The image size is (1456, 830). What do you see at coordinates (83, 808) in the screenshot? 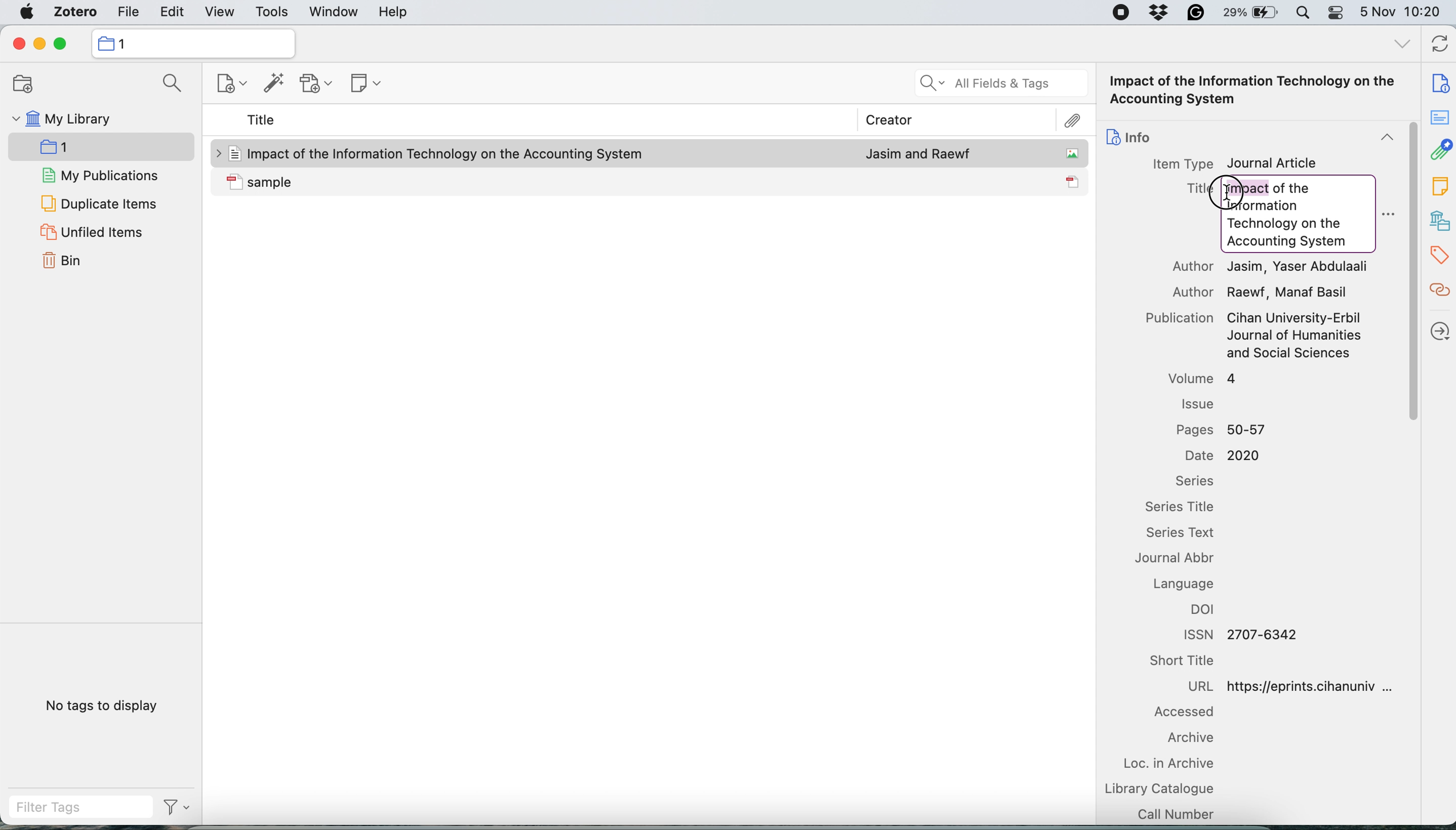
I see `filter tags` at bounding box center [83, 808].